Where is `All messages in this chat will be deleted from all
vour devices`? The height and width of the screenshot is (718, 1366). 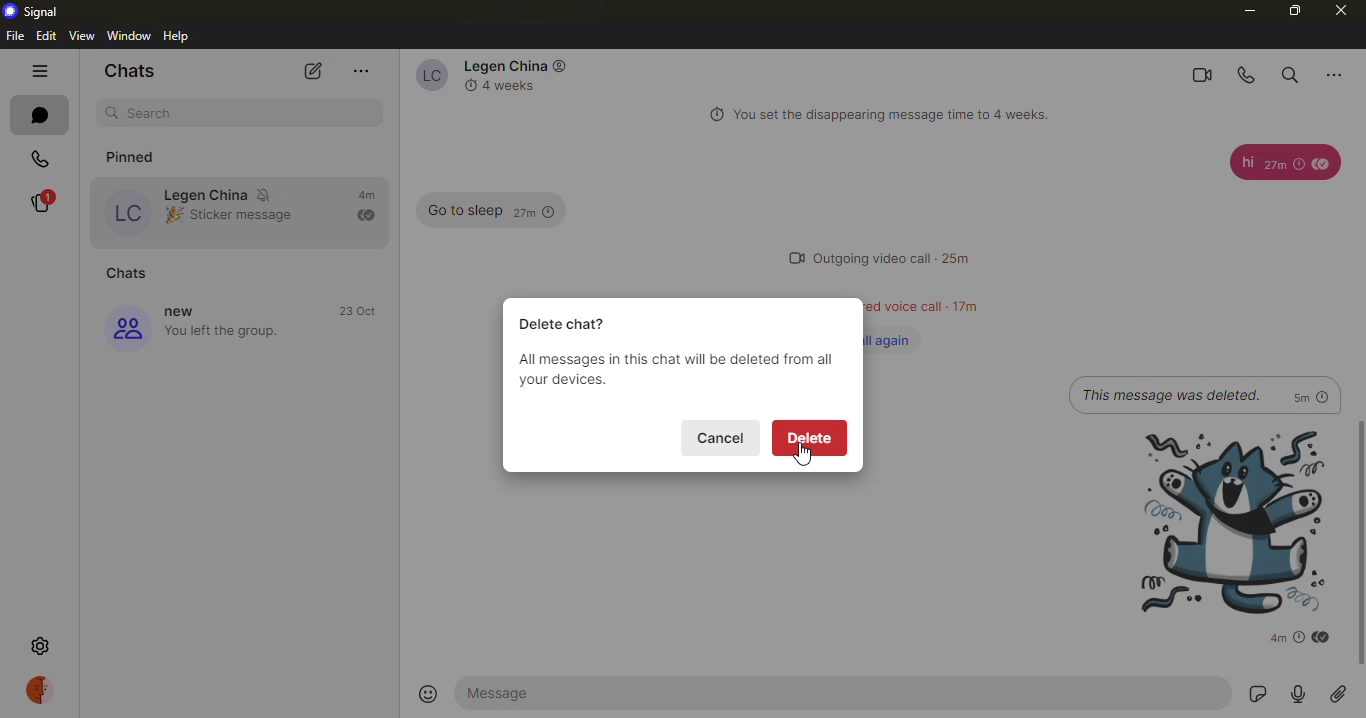
All messages in this chat will be deleted from all
vour devices is located at coordinates (674, 371).